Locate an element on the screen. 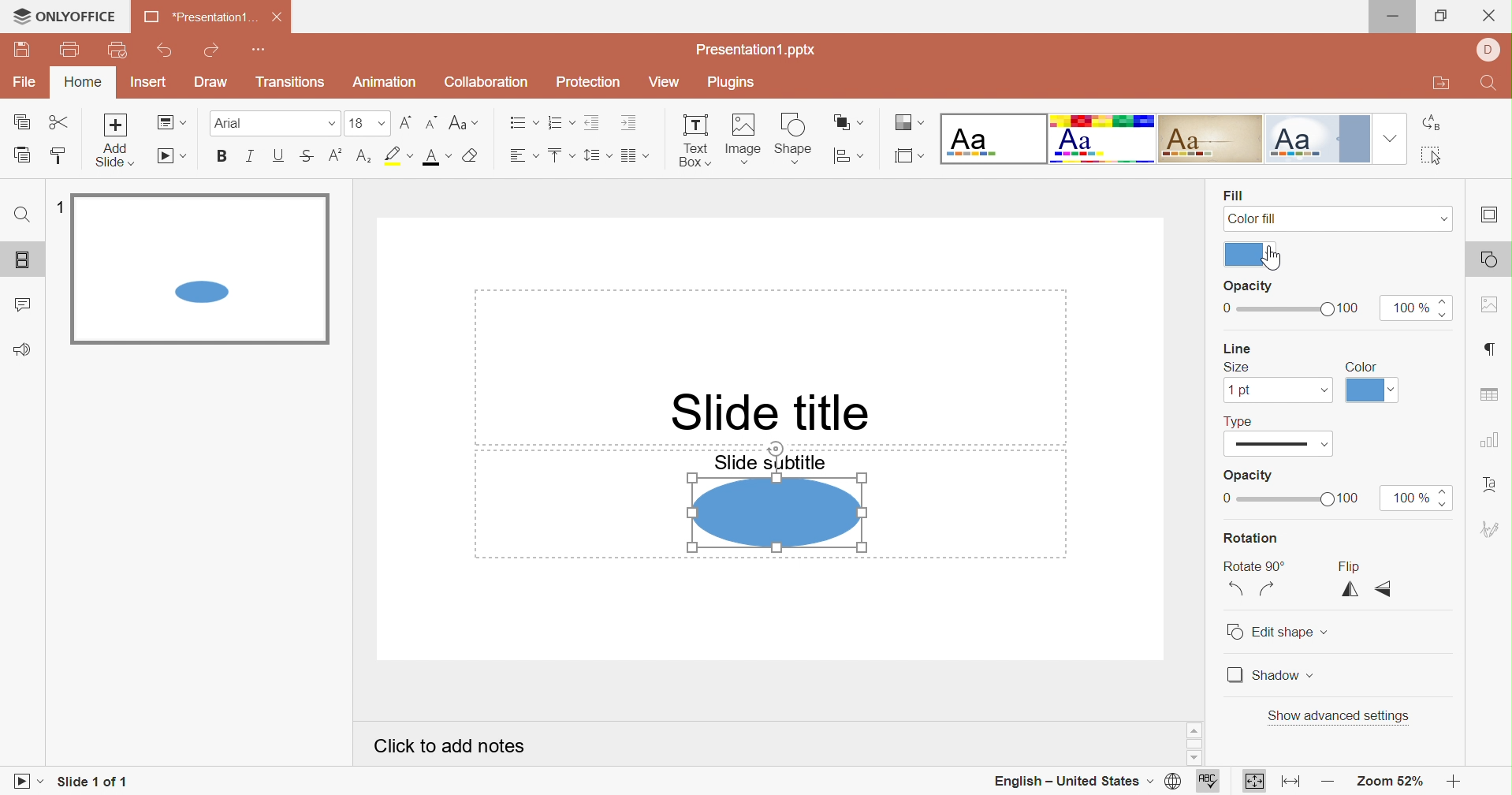 This screenshot has width=1512, height=795. Slide subtitle is located at coordinates (770, 460).